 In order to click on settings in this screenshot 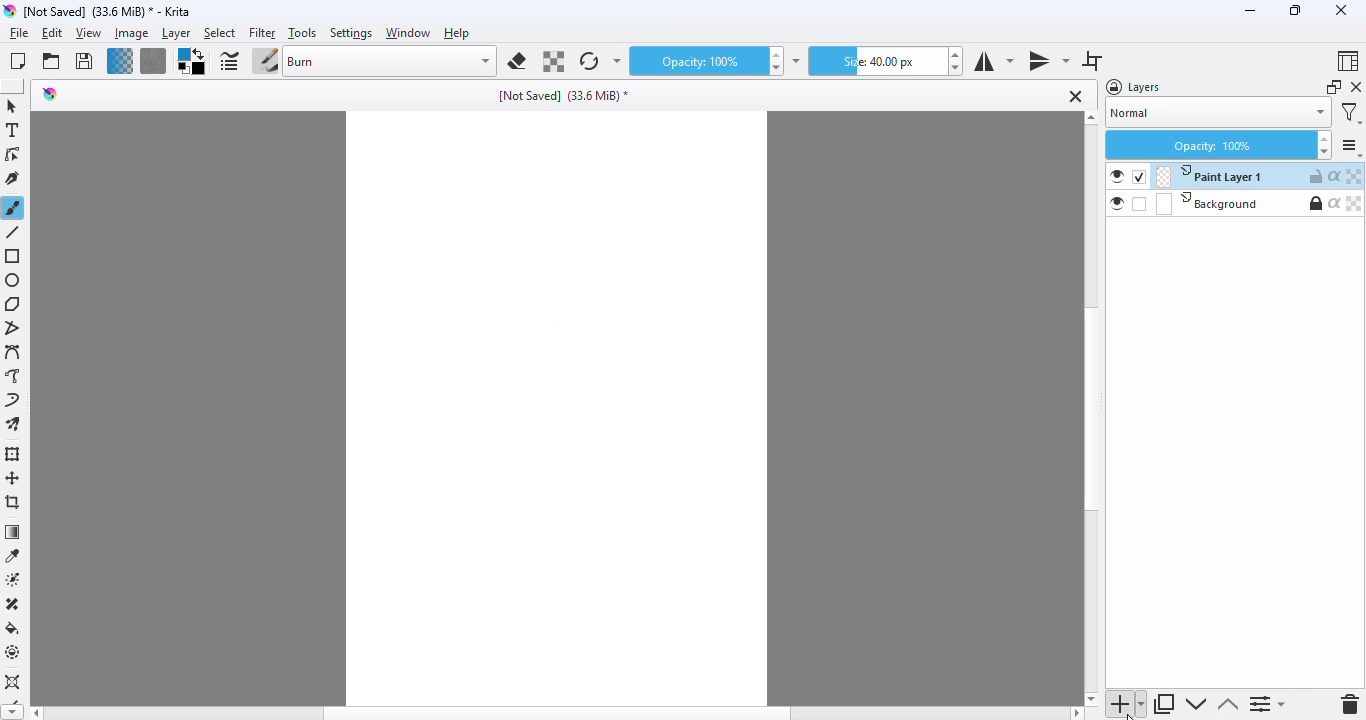, I will do `click(1351, 147)`.